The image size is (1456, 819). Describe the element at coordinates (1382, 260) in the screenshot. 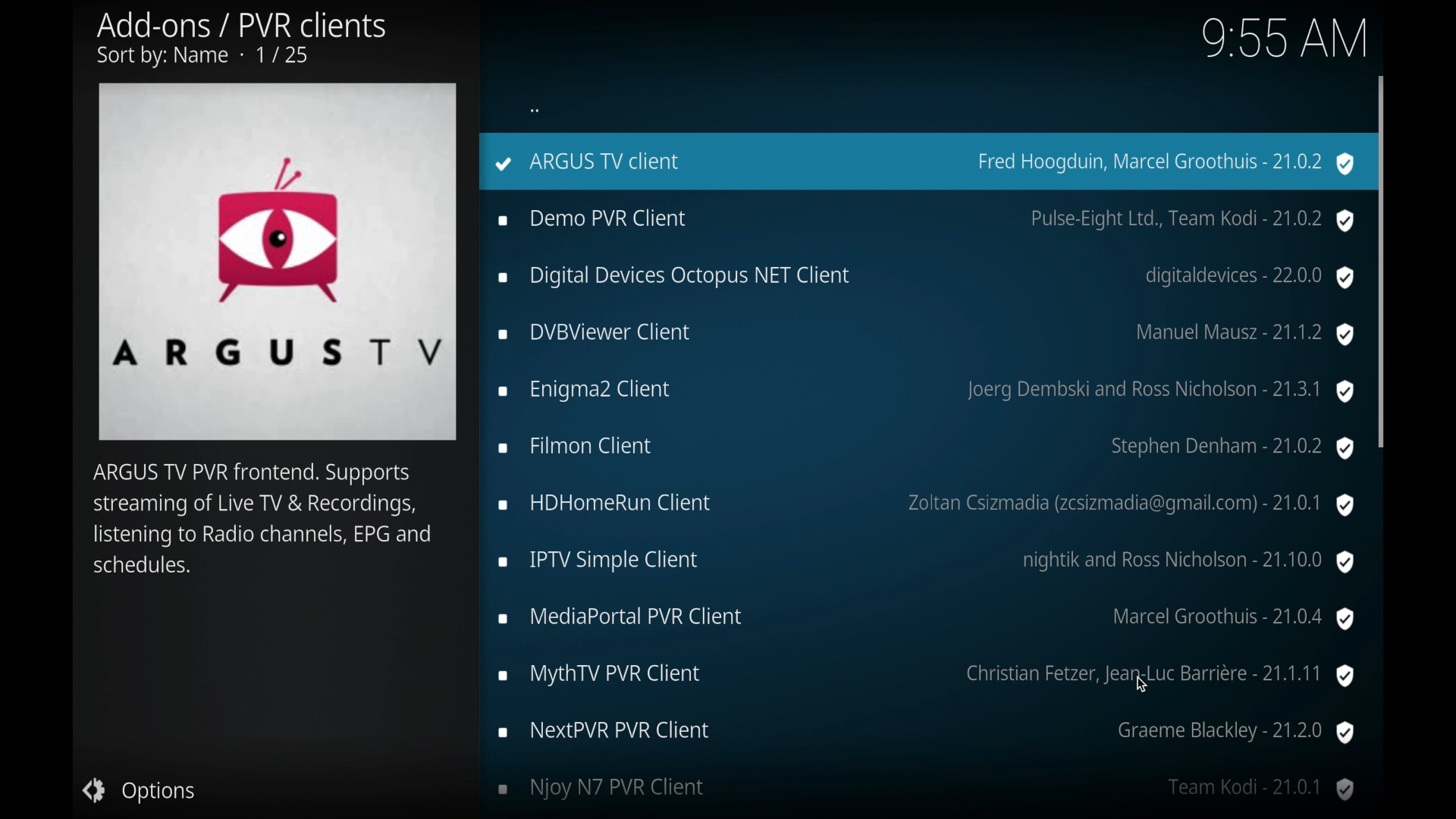

I see `scroll box` at that location.